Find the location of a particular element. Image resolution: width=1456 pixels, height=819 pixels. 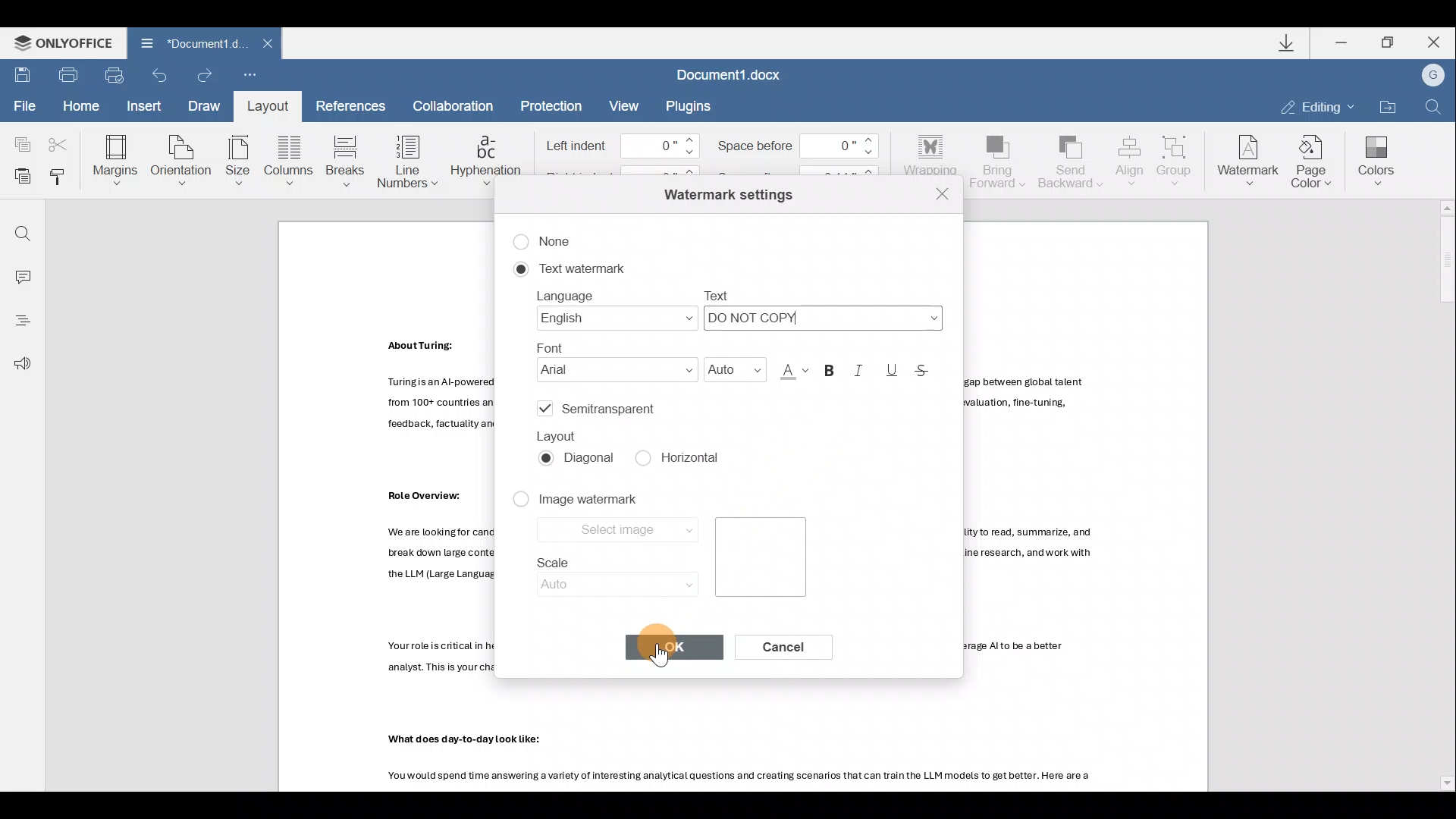

Font color is located at coordinates (790, 369).